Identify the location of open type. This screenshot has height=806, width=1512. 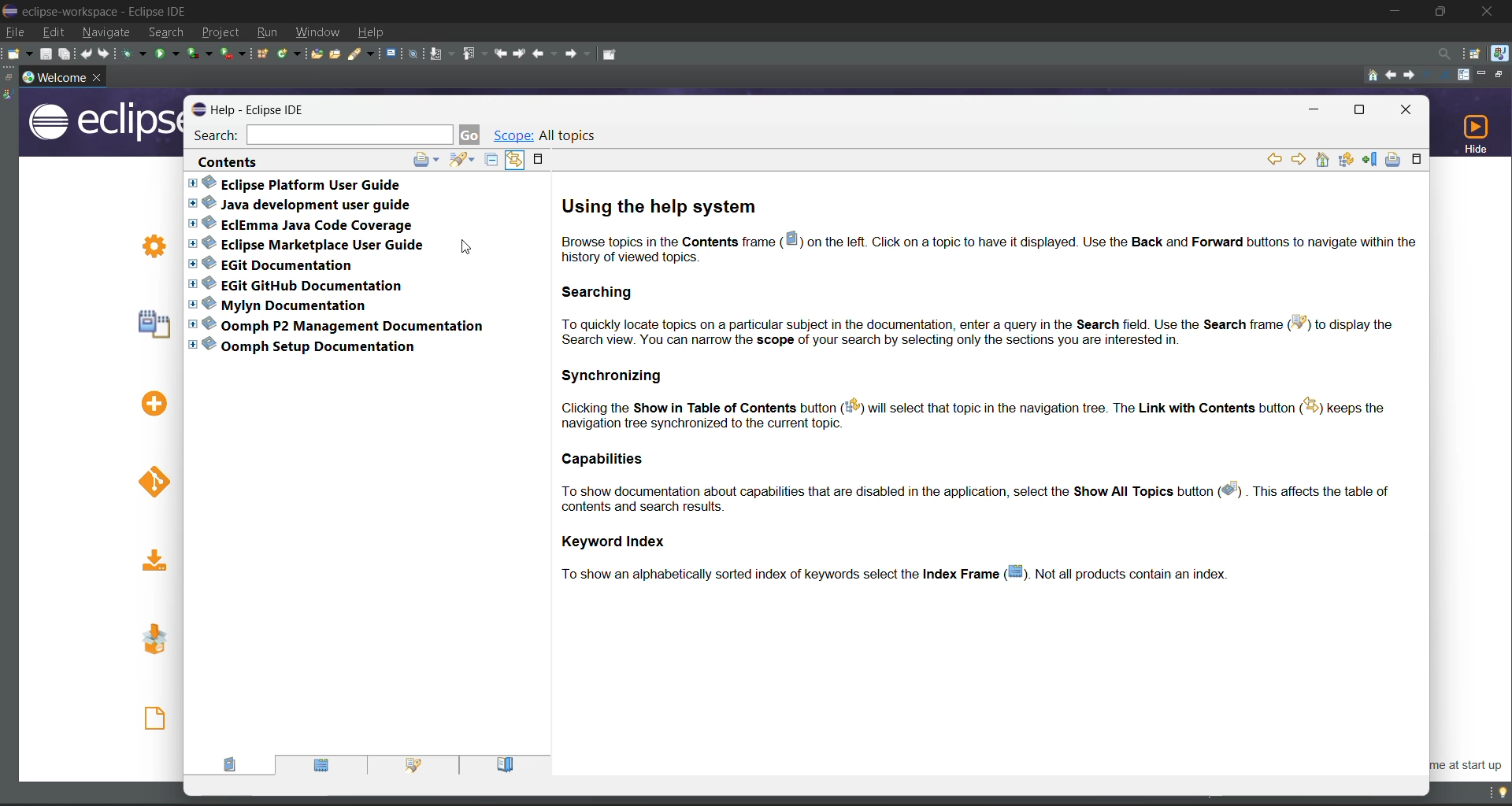
(315, 53).